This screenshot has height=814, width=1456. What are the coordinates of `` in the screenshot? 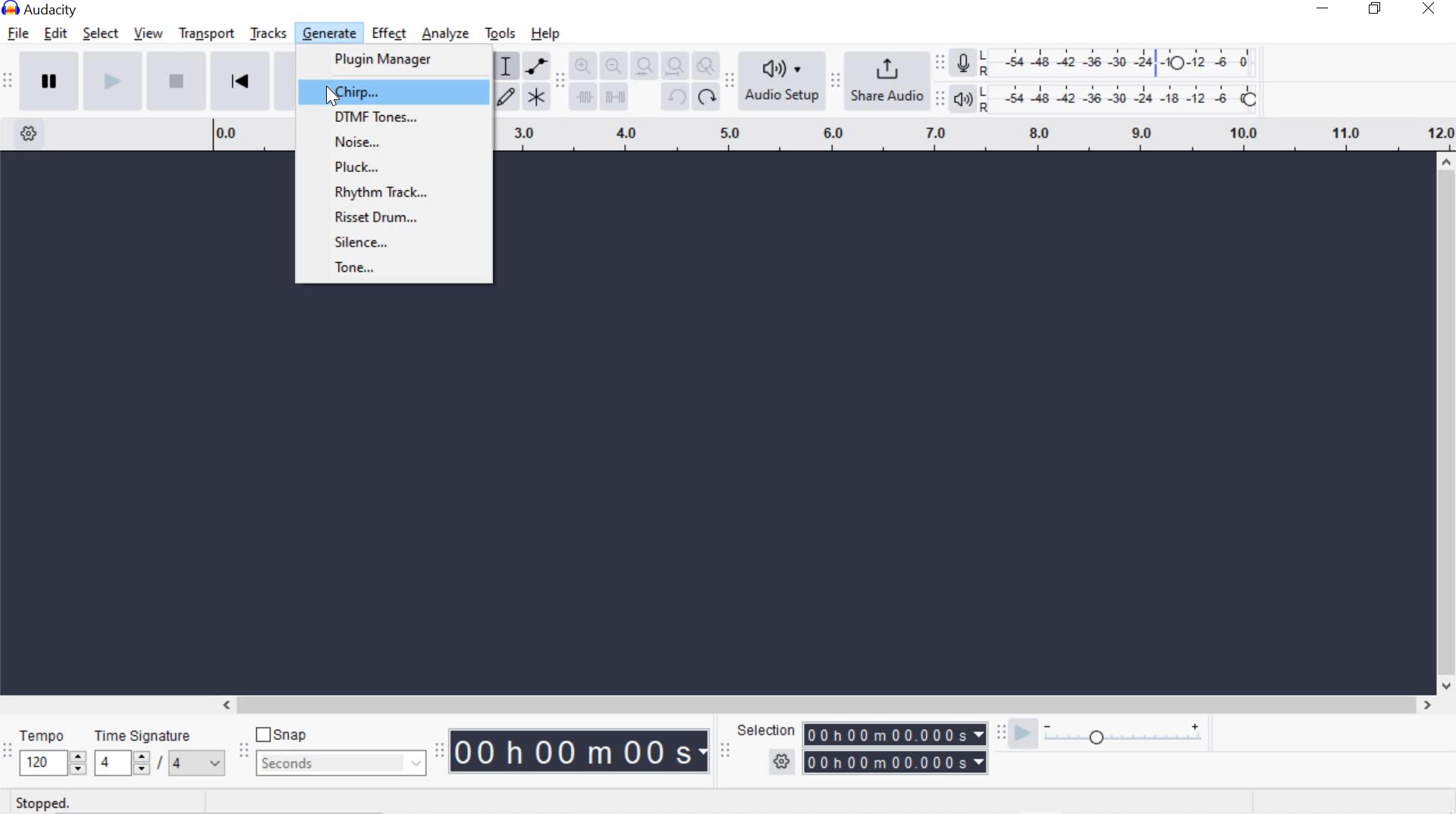 It's located at (765, 731).